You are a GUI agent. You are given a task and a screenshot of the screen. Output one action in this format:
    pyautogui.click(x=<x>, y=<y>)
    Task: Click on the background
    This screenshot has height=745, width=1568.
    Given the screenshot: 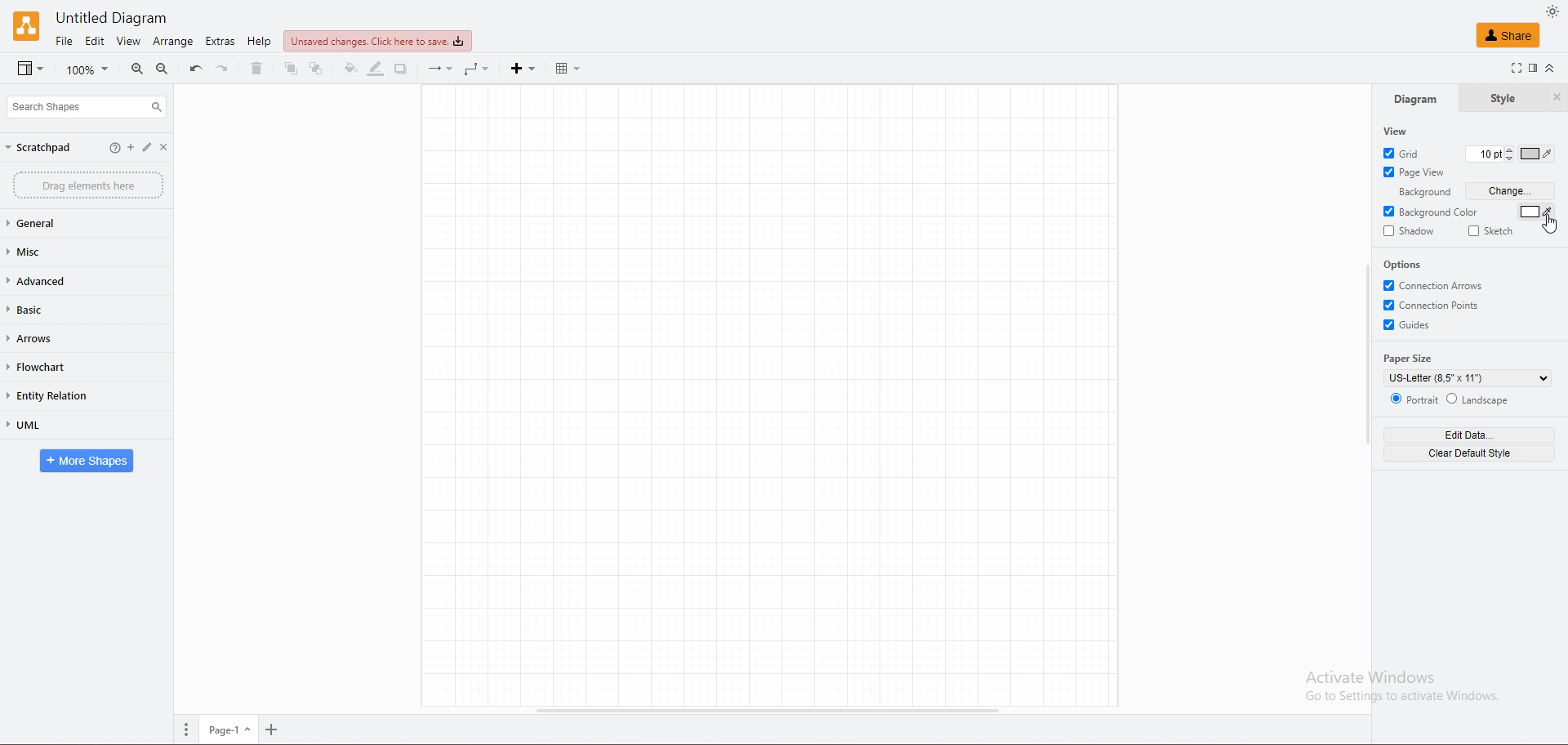 What is the action you would take?
    pyautogui.click(x=1419, y=192)
    